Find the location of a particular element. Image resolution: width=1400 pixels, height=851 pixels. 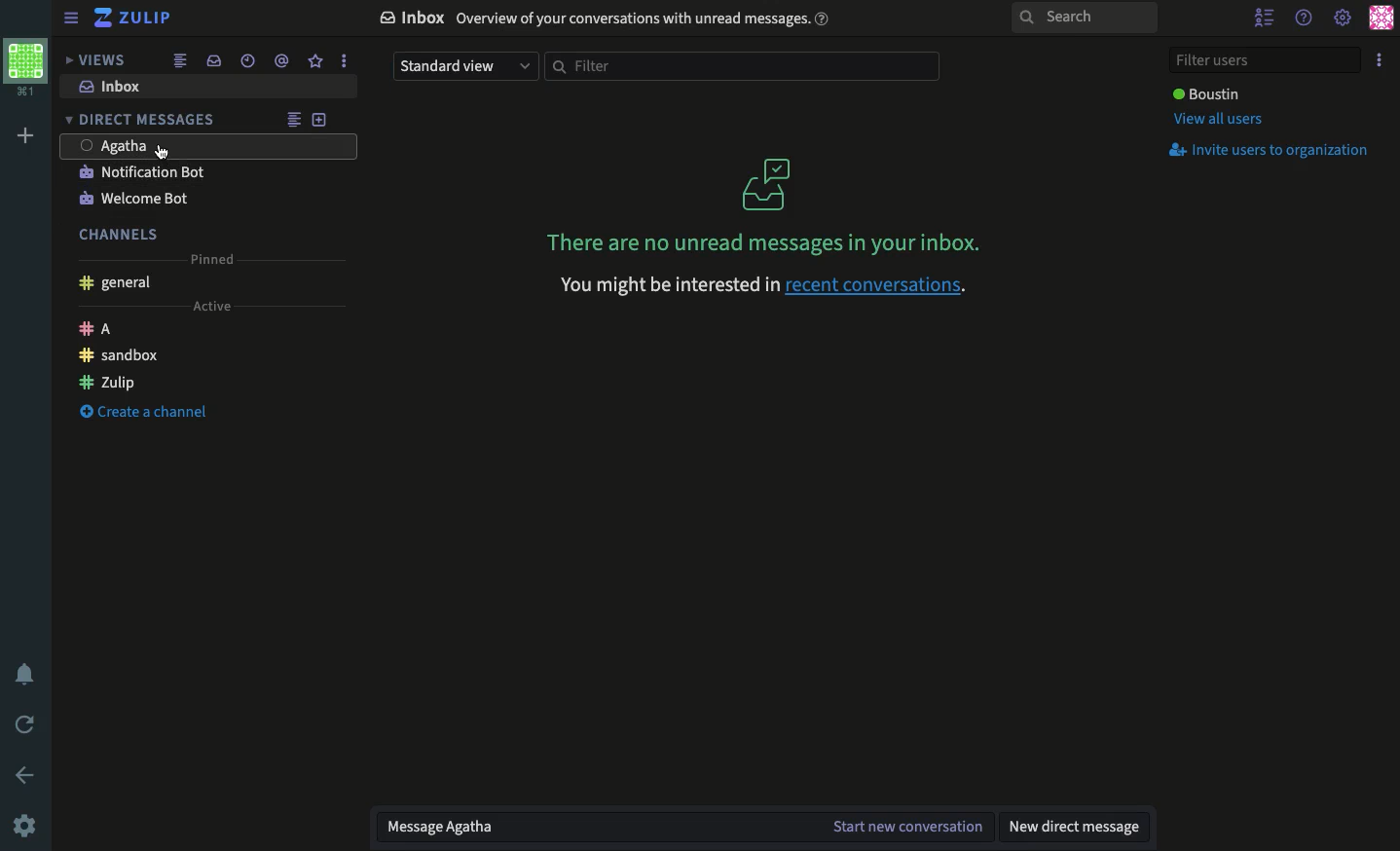

hyperlink is located at coordinates (879, 287).